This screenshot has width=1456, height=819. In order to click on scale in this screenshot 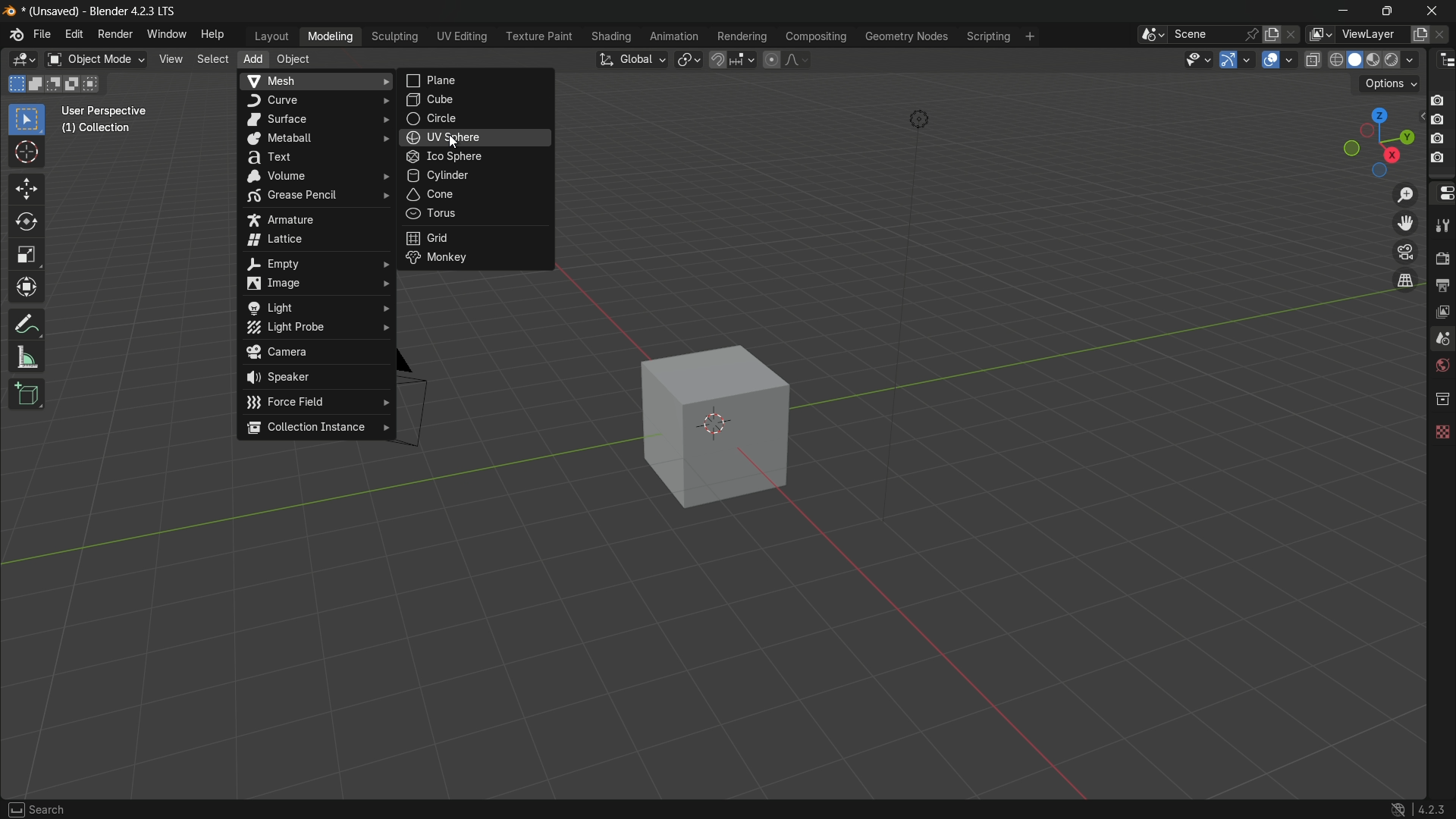, I will do `click(28, 256)`.